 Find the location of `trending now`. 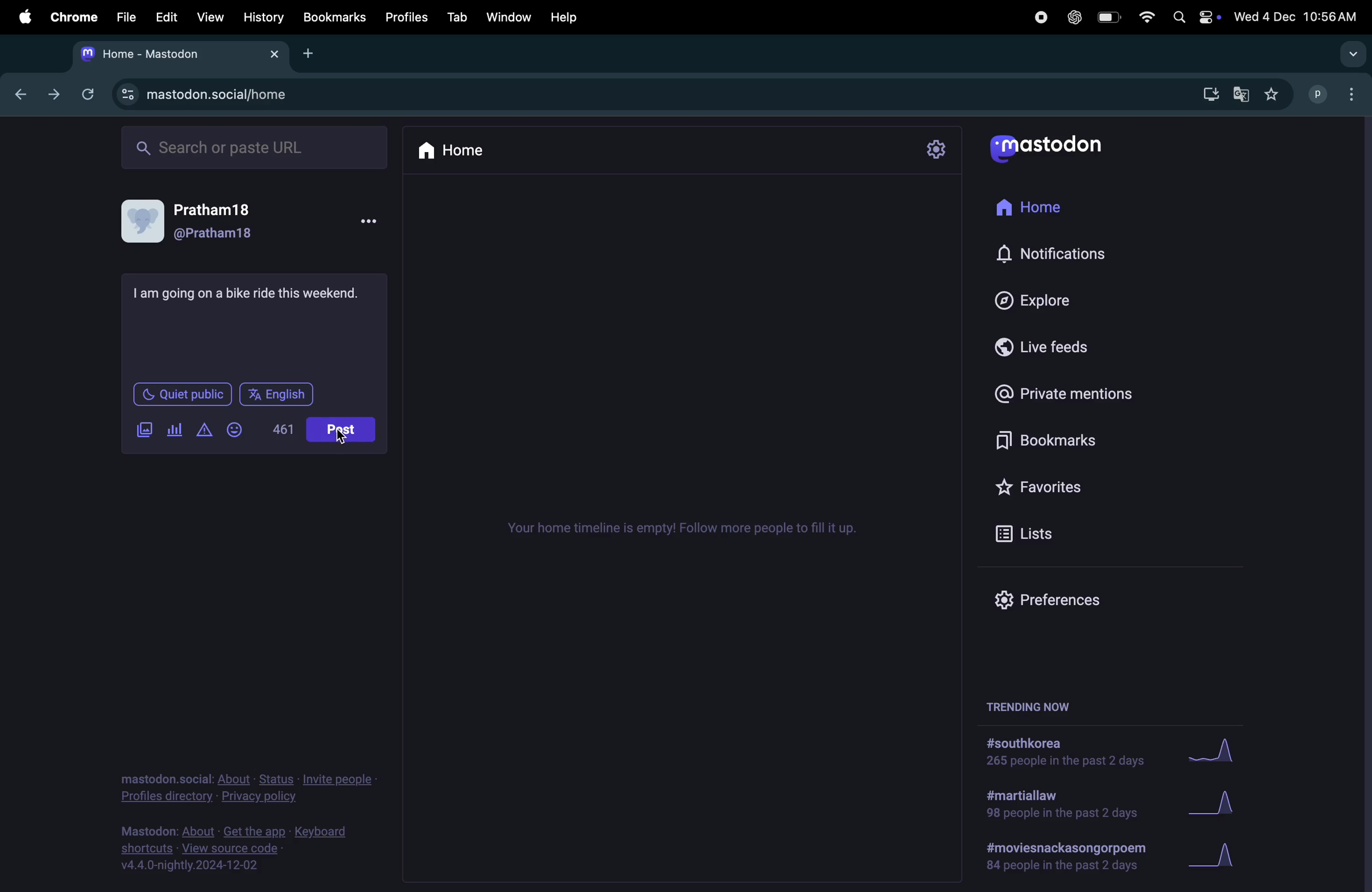

trending now is located at coordinates (1032, 705).